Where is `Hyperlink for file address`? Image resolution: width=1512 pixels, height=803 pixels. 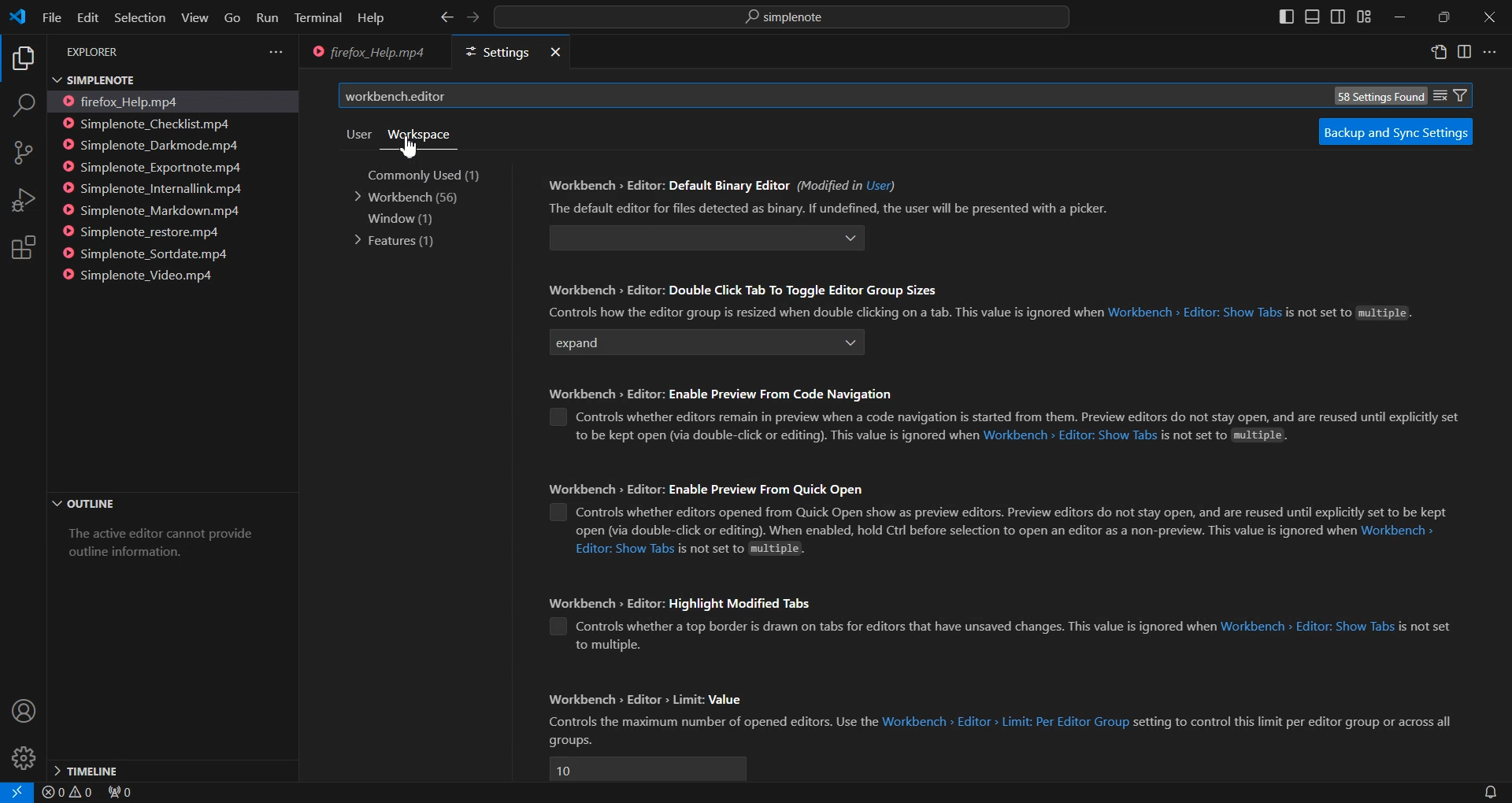
Hyperlink for file address is located at coordinates (1069, 436).